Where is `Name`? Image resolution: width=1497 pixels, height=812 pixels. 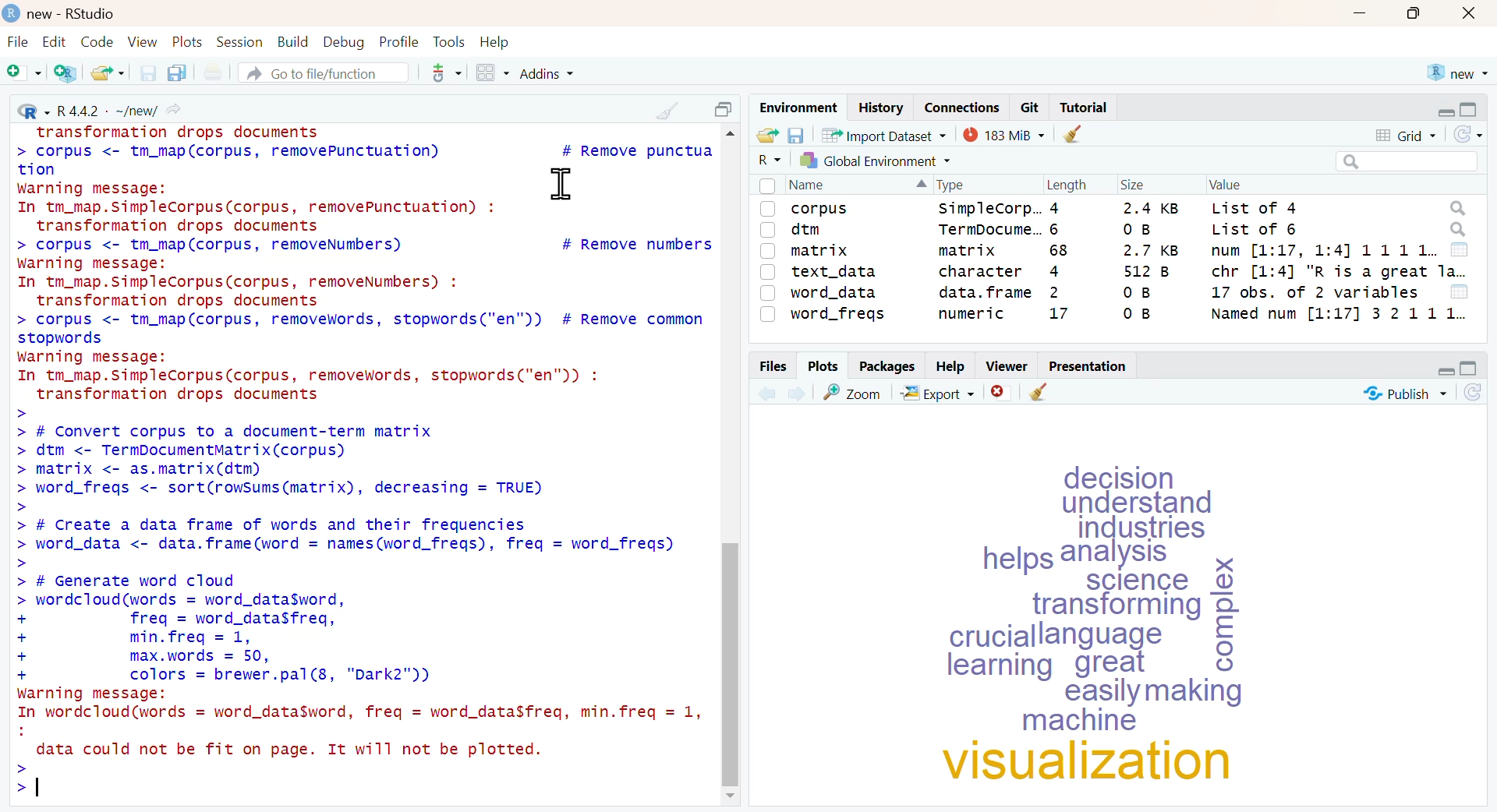
Name is located at coordinates (810, 185).